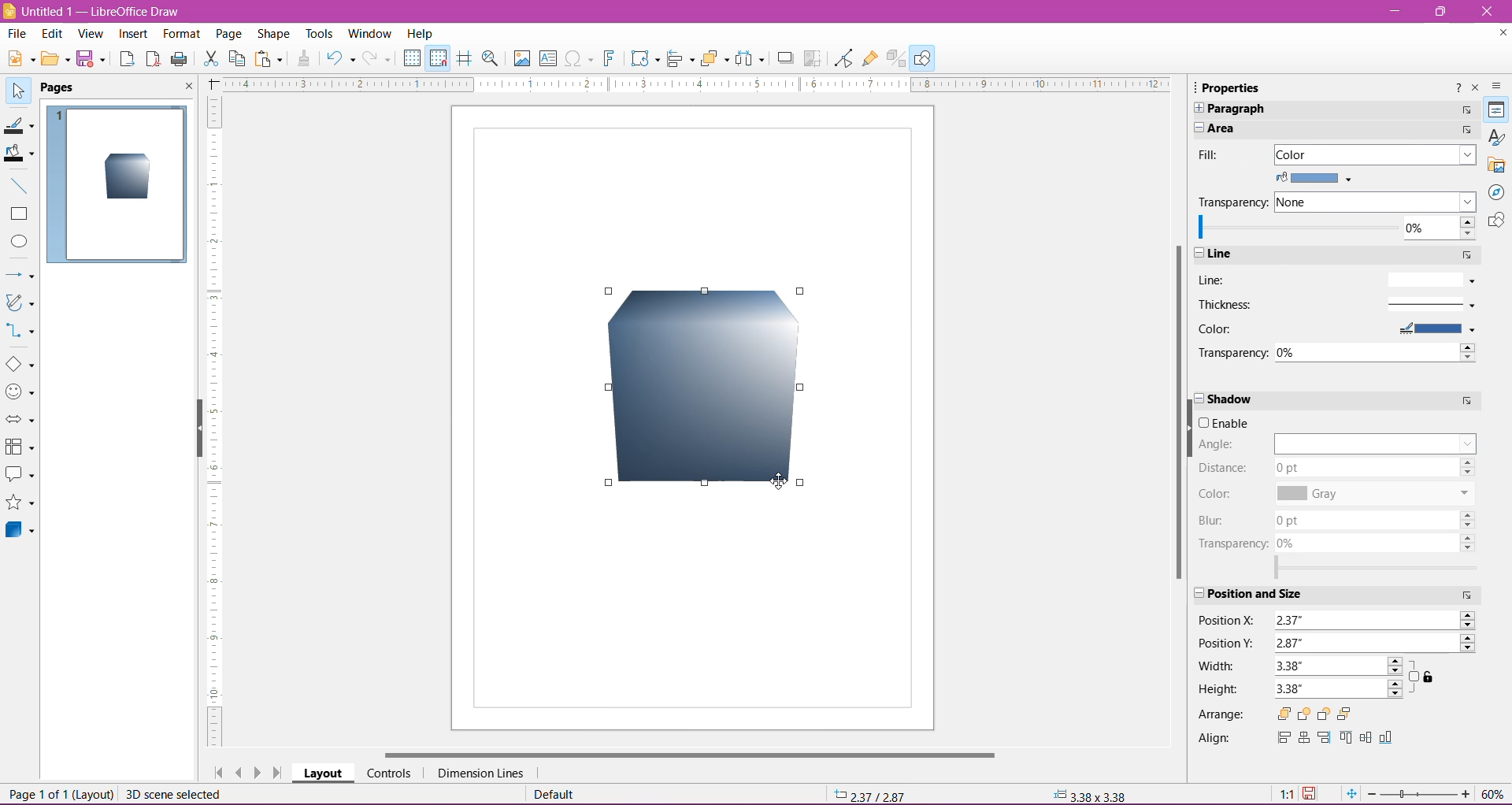 This screenshot has width=1512, height=805. What do you see at coordinates (1213, 280) in the screenshot?
I see `Line` at bounding box center [1213, 280].